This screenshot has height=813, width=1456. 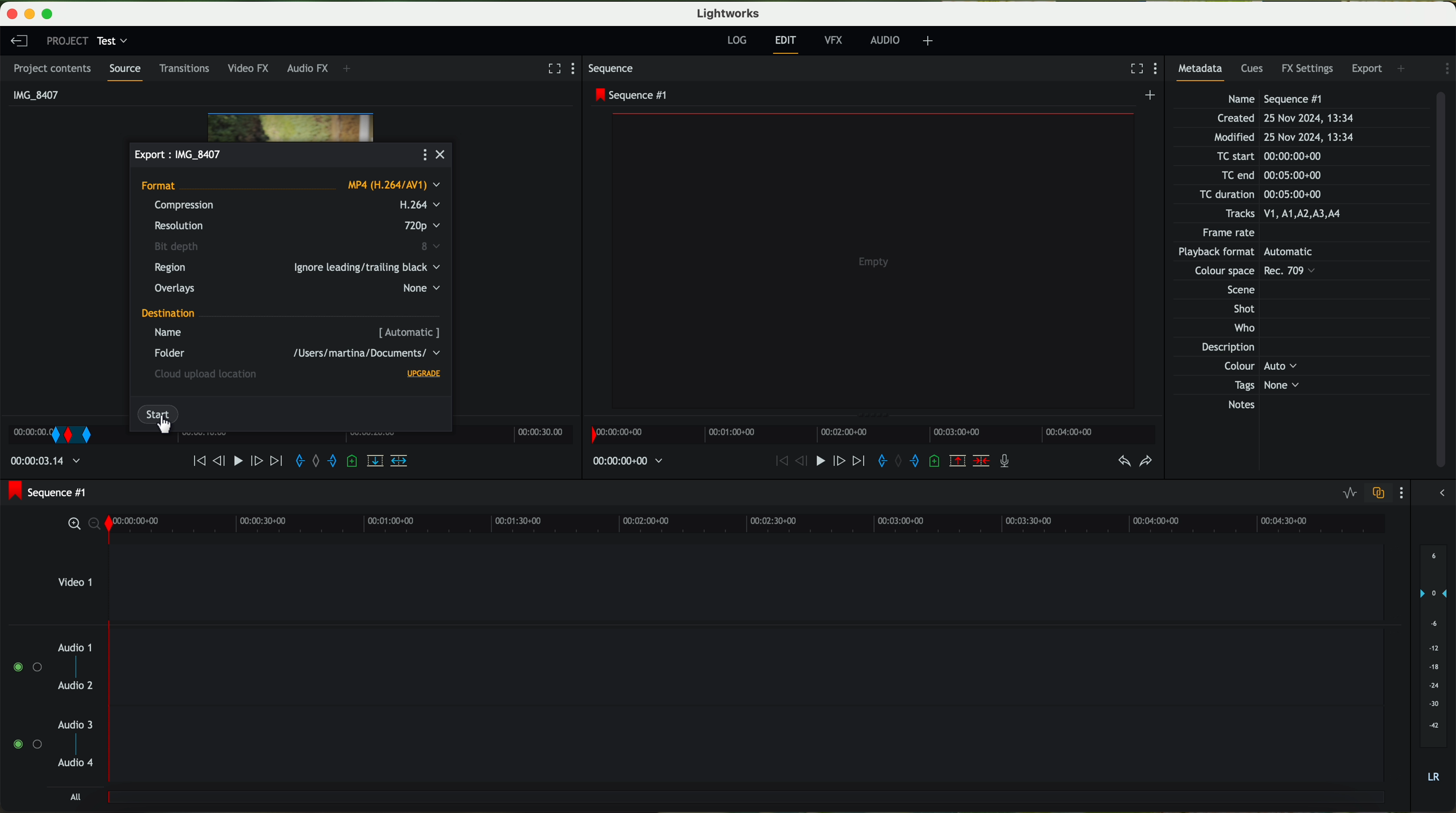 What do you see at coordinates (180, 154) in the screenshot?
I see `export file` at bounding box center [180, 154].